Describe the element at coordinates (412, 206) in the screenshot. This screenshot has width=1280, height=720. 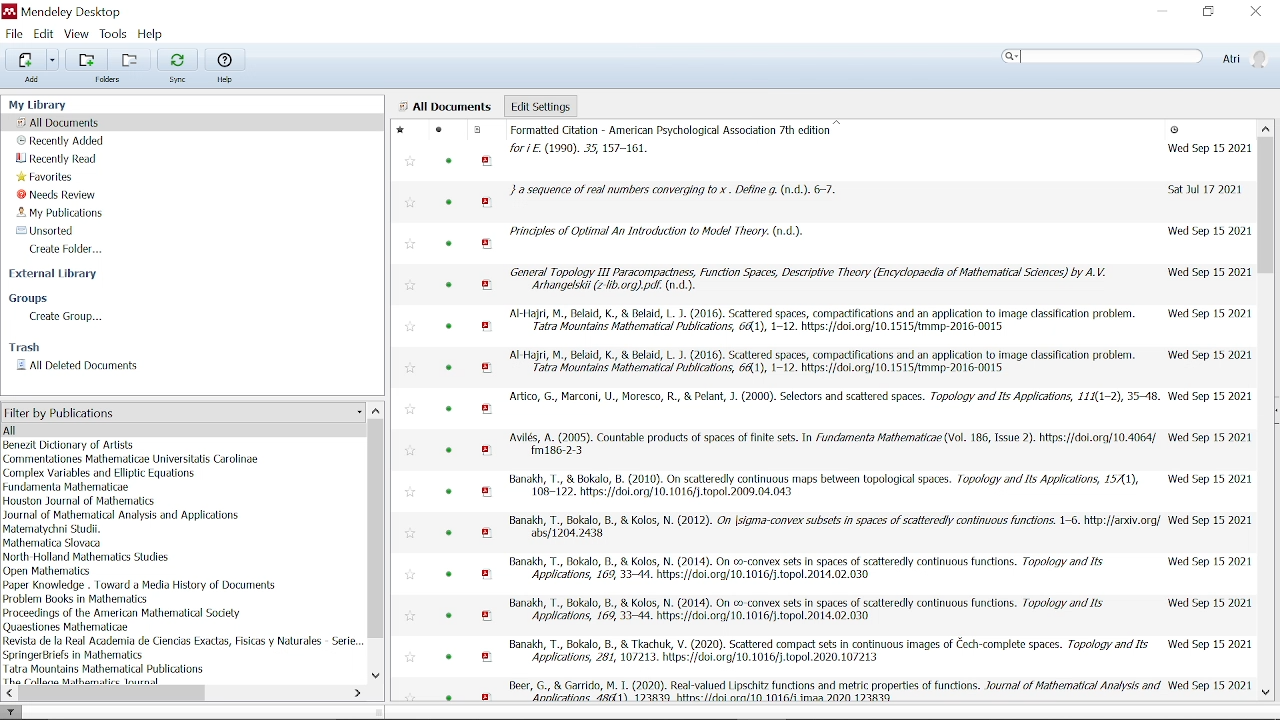
I see `favourite` at that location.